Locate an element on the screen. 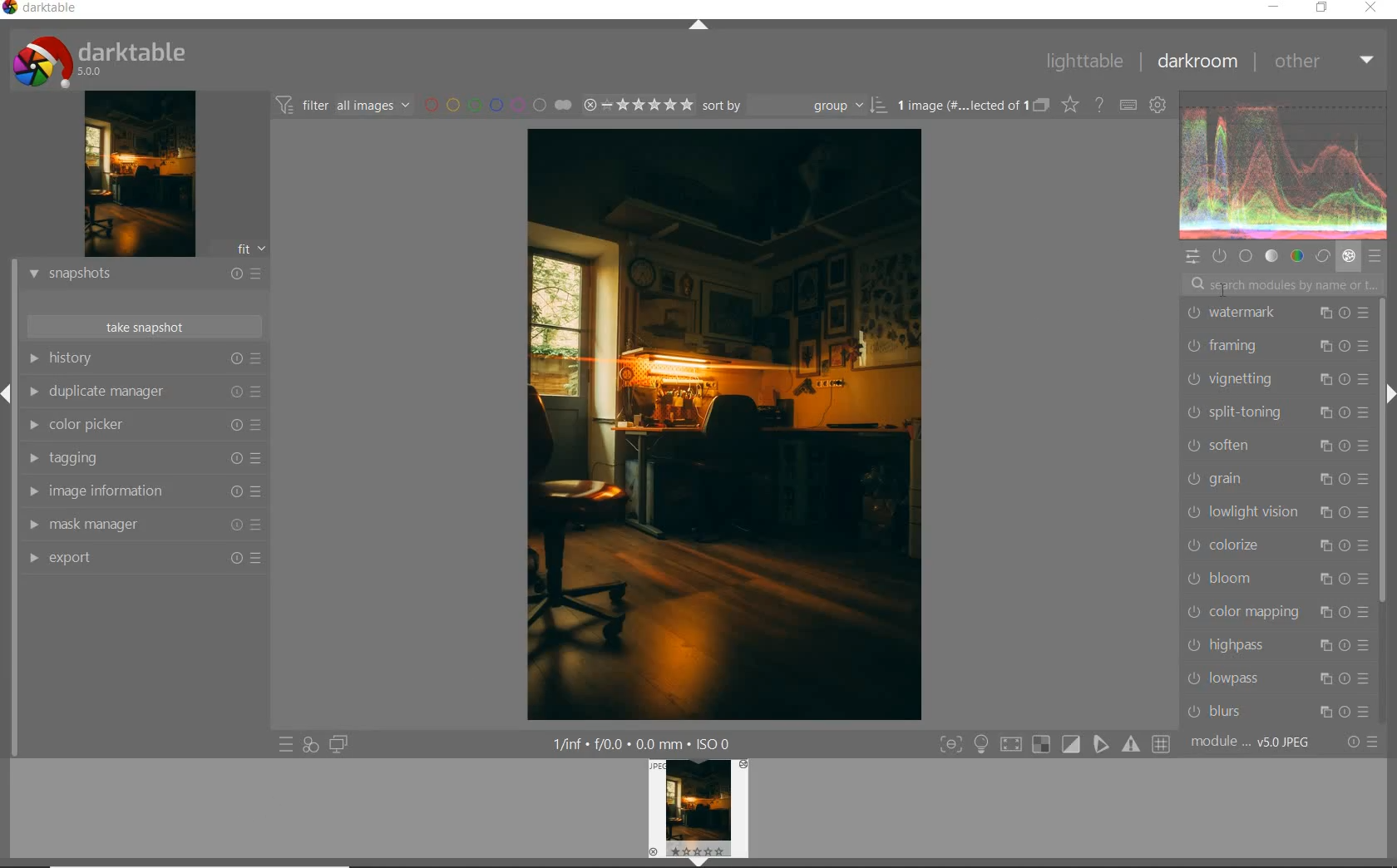 This screenshot has width=1397, height=868. quick access panel is located at coordinates (1192, 256).